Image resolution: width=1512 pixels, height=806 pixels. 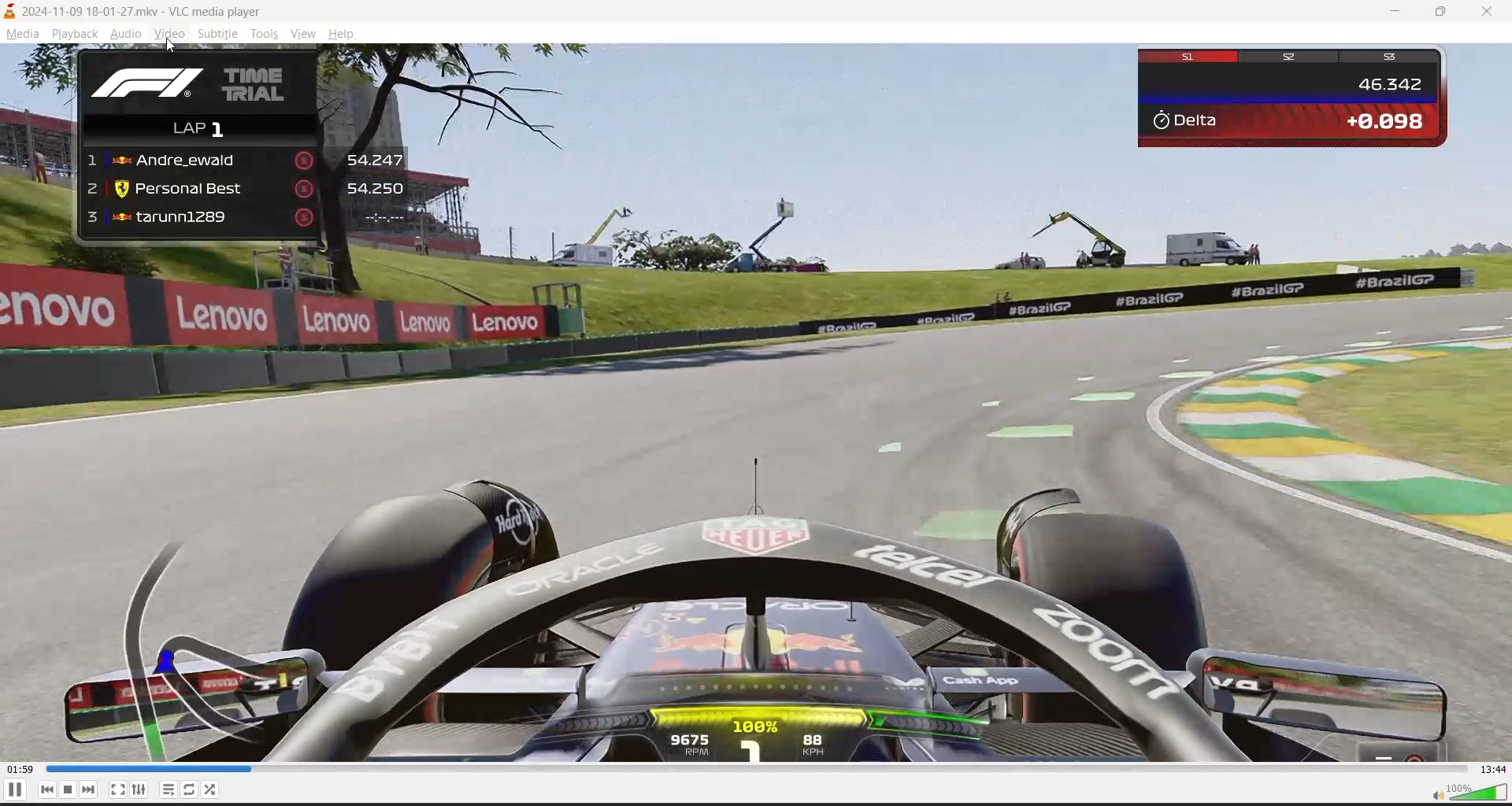 What do you see at coordinates (124, 34) in the screenshot?
I see `audio` at bounding box center [124, 34].